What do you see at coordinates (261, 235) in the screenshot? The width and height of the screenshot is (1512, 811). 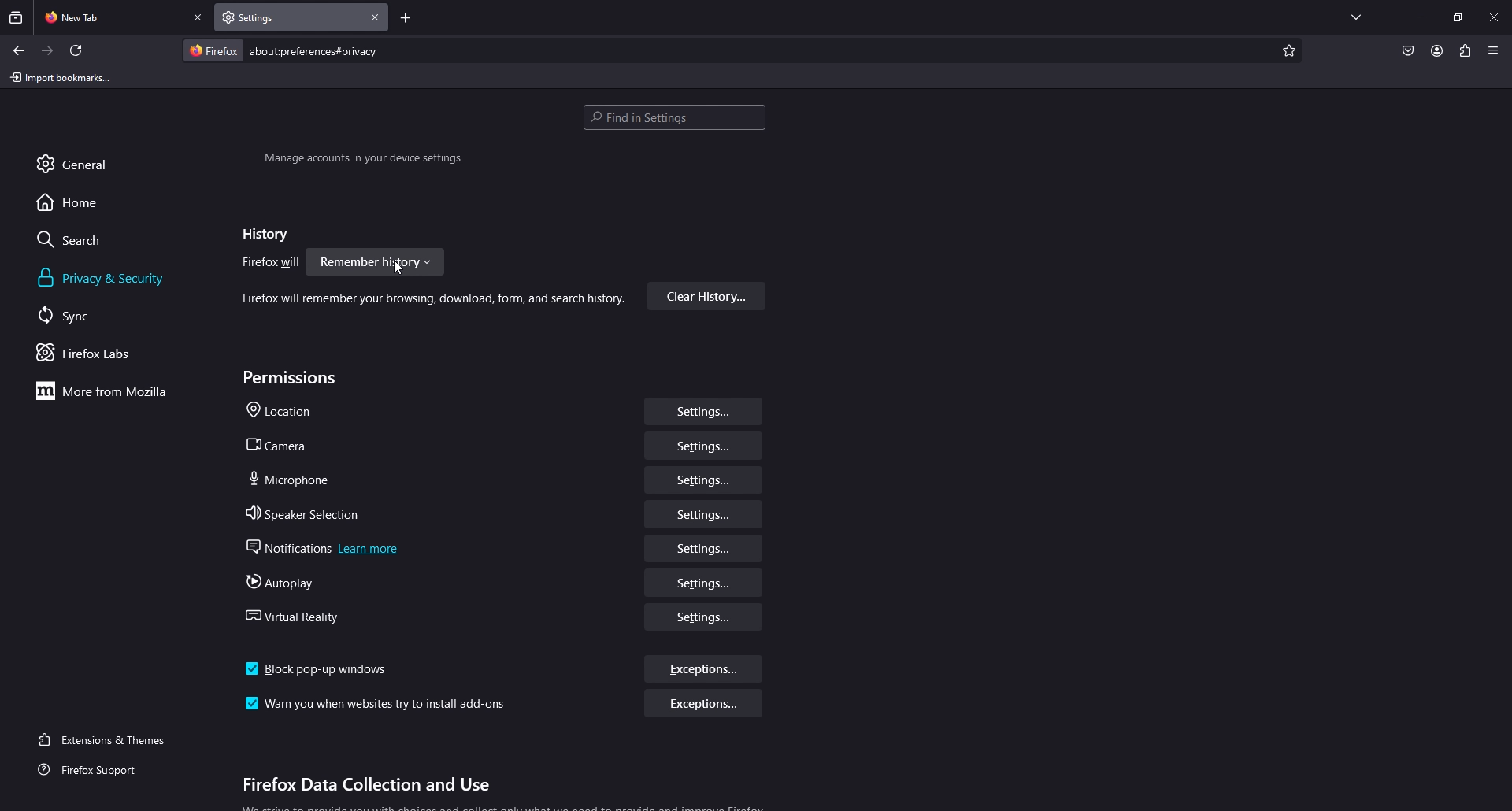 I see `history` at bounding box center [261, 235].